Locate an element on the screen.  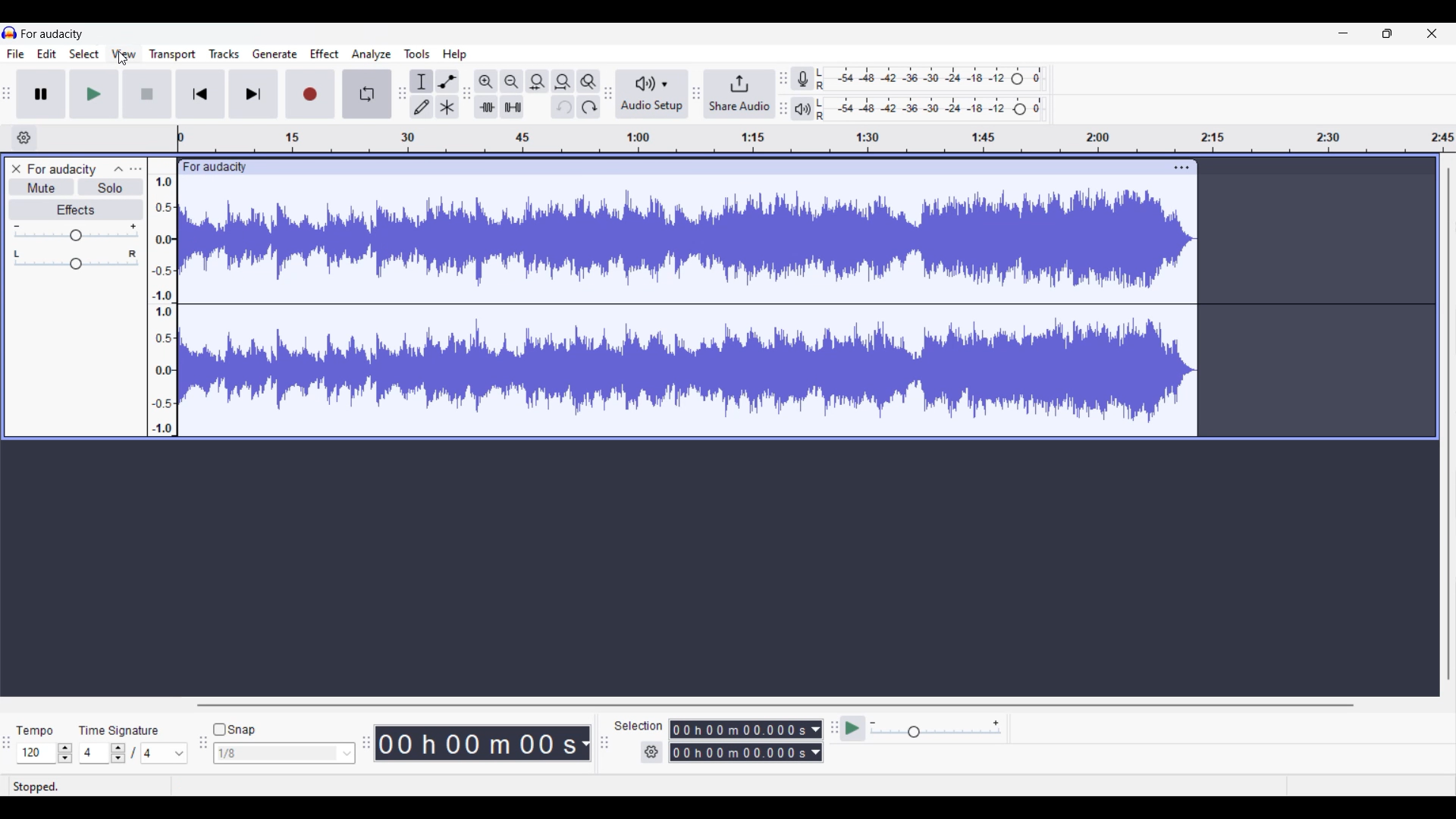
File is located at coordinates (16, 54).